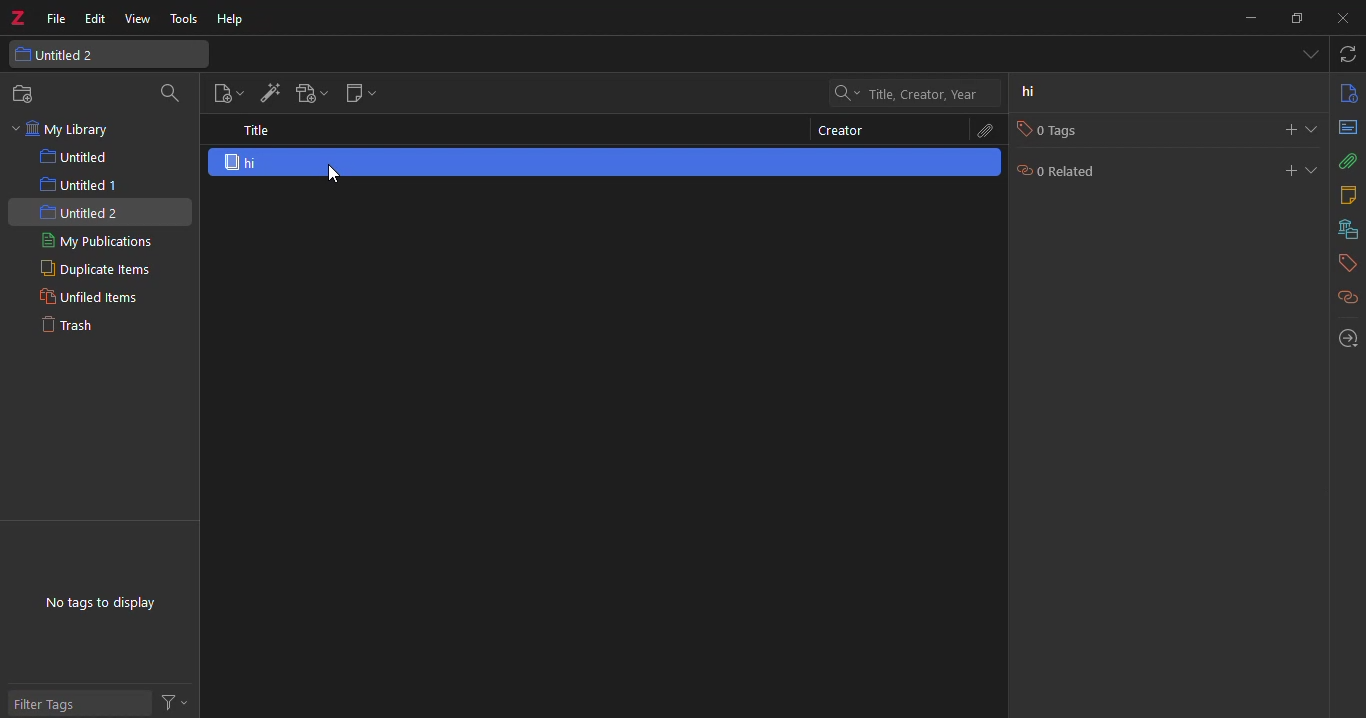 The width and height of the screenshot is (1366, 718). Describe the element at coordinates (137, 20) in the screenshot. I see `view` at that location.